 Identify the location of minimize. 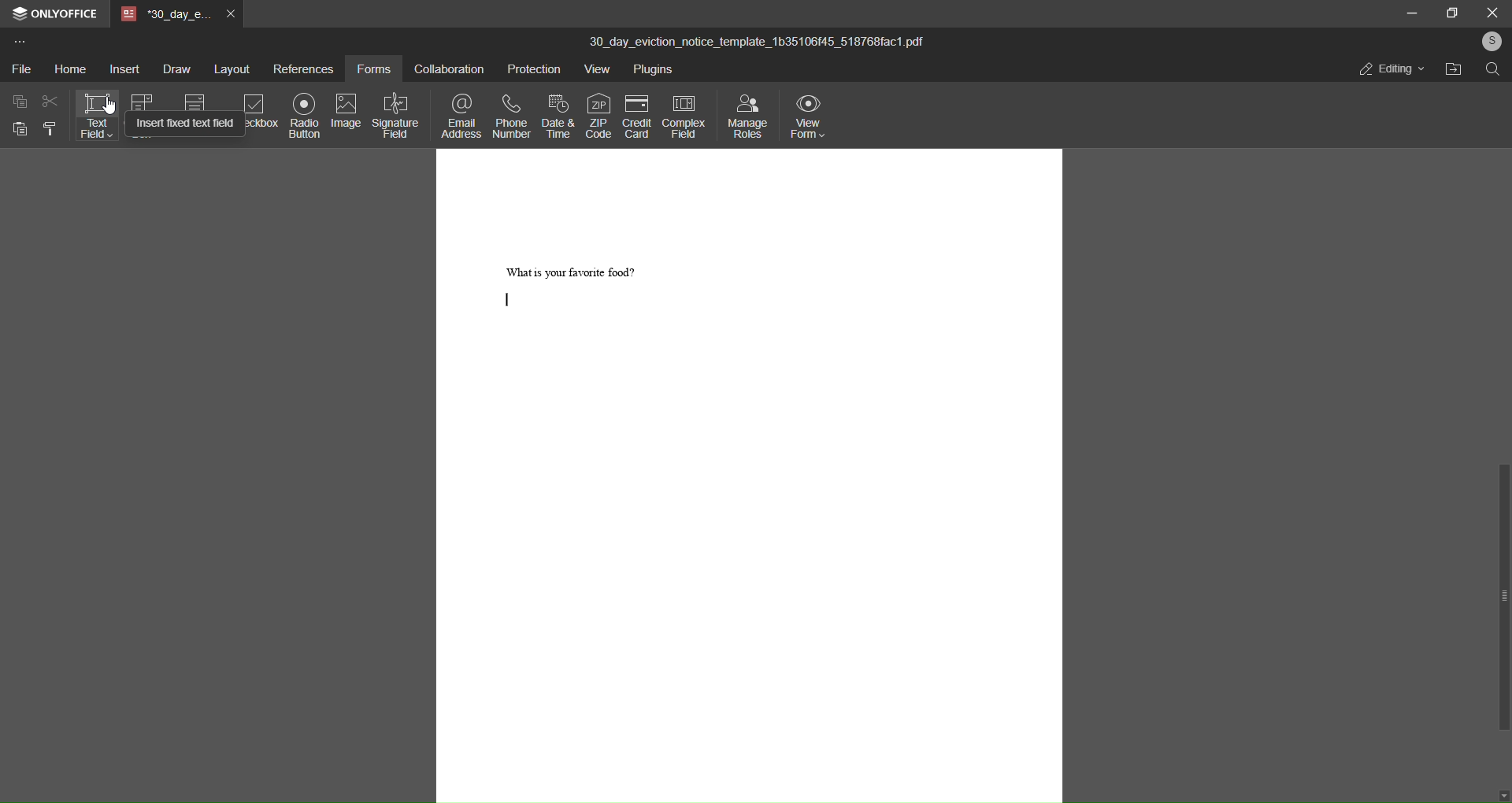
(1410, 13).